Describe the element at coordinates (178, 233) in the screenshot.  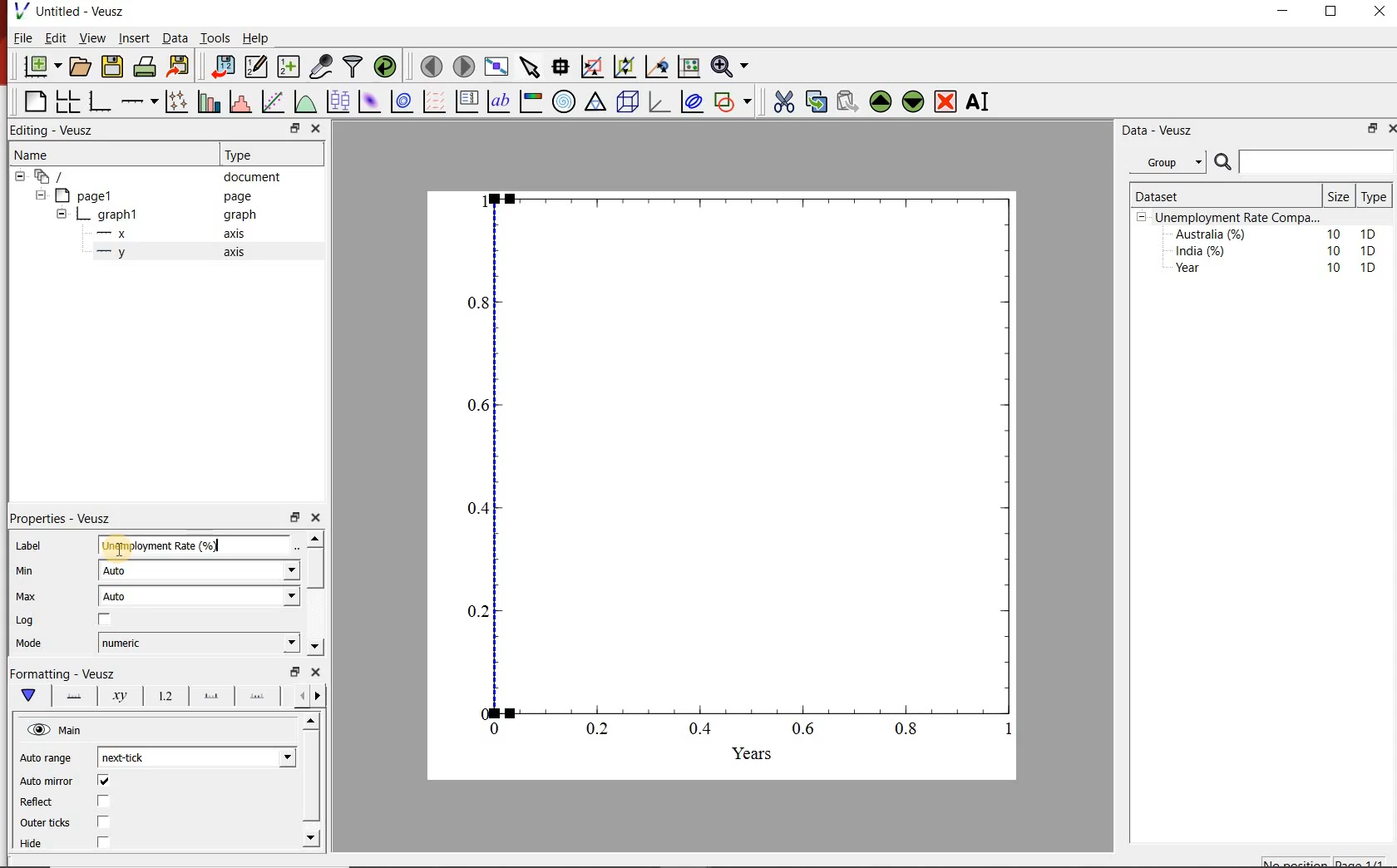
I see `x axis` at that location.